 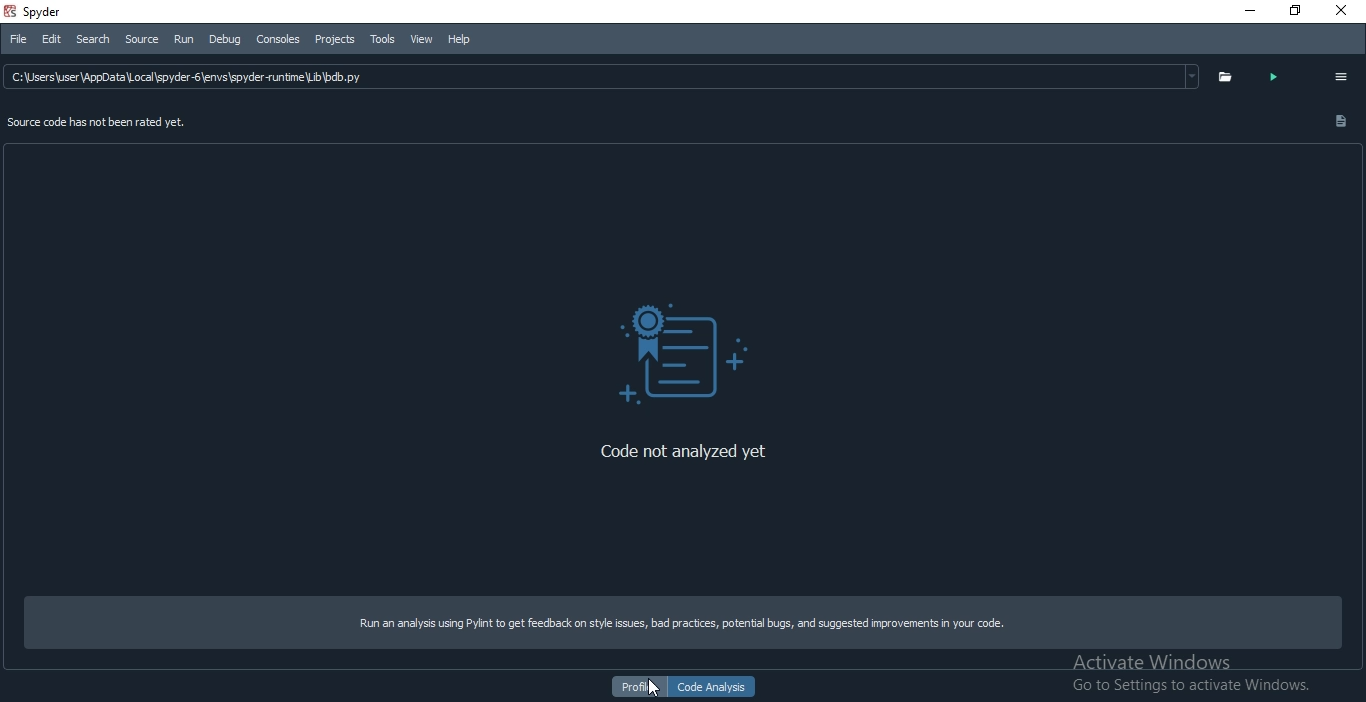 What do you see at coordinates (1194, 670) in the screenshot?
I see `activate windows..;Go to Settings to activate Windows.` at bounding box center [1194, 670].